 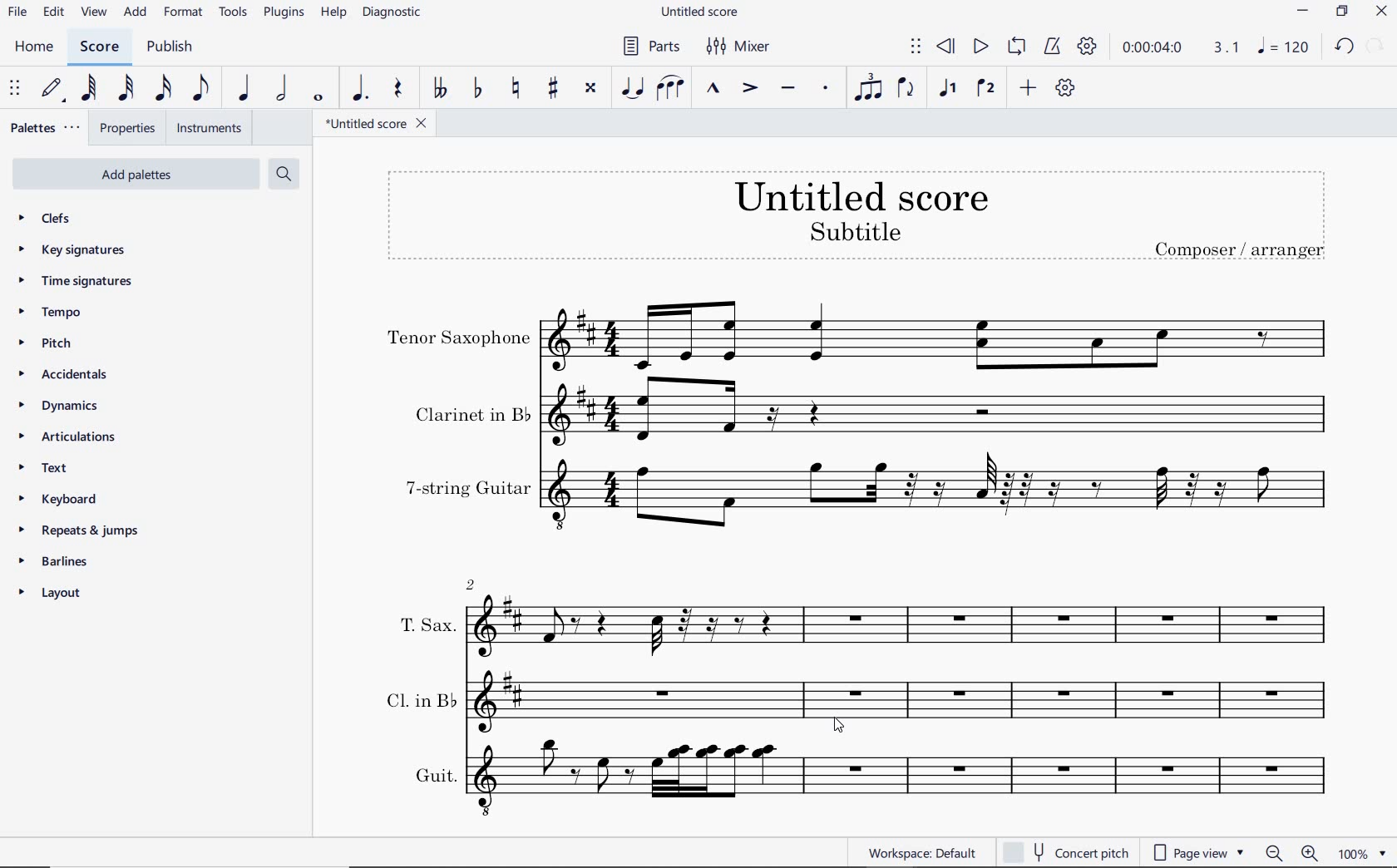 What do you see at coordinates (1302, 12) in the screenshot?
I see `MINIMIZE` at bounding box center [1302, 12].